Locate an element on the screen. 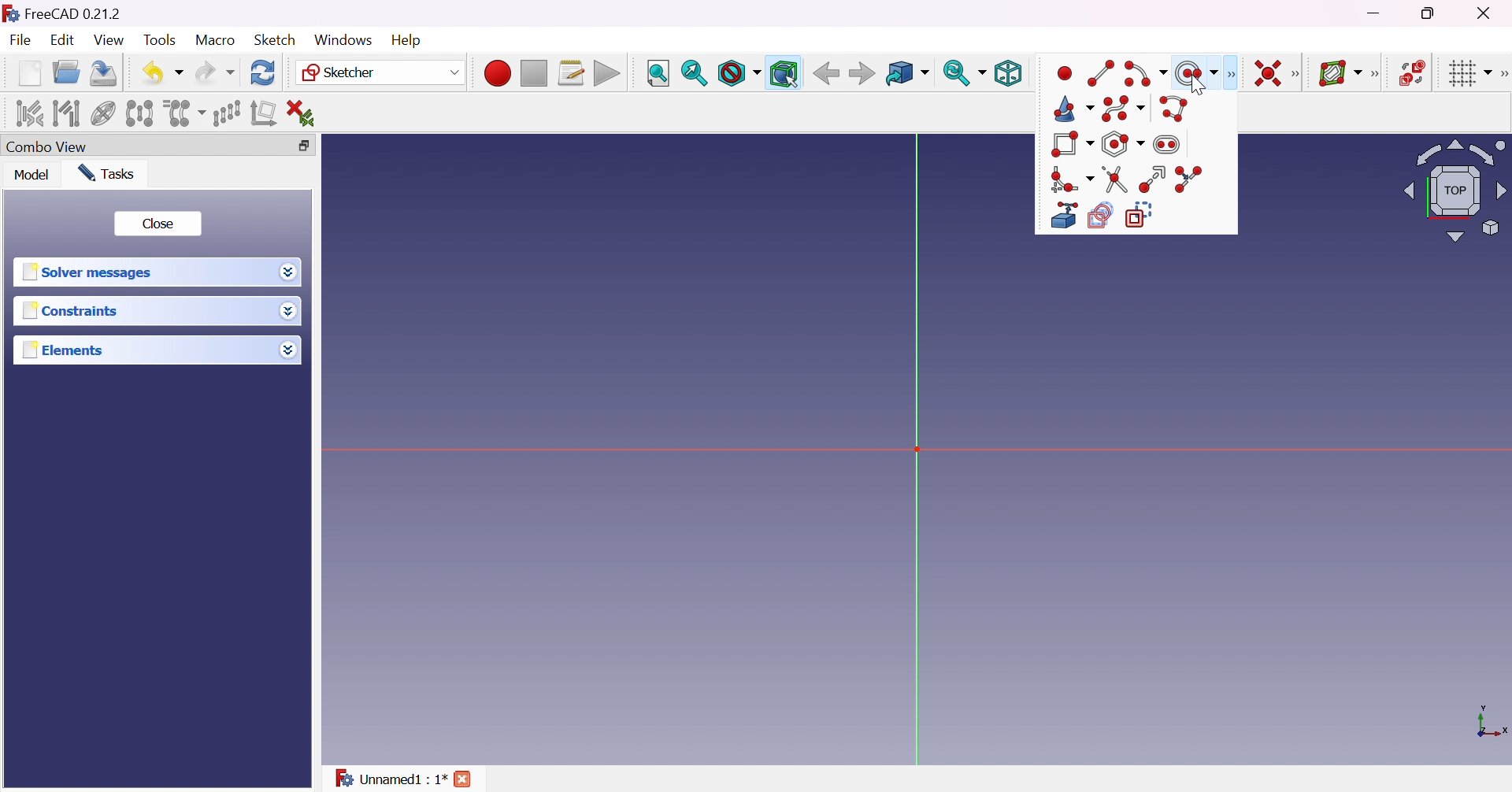  Create B-spline is located at coordinates (1123, 109).